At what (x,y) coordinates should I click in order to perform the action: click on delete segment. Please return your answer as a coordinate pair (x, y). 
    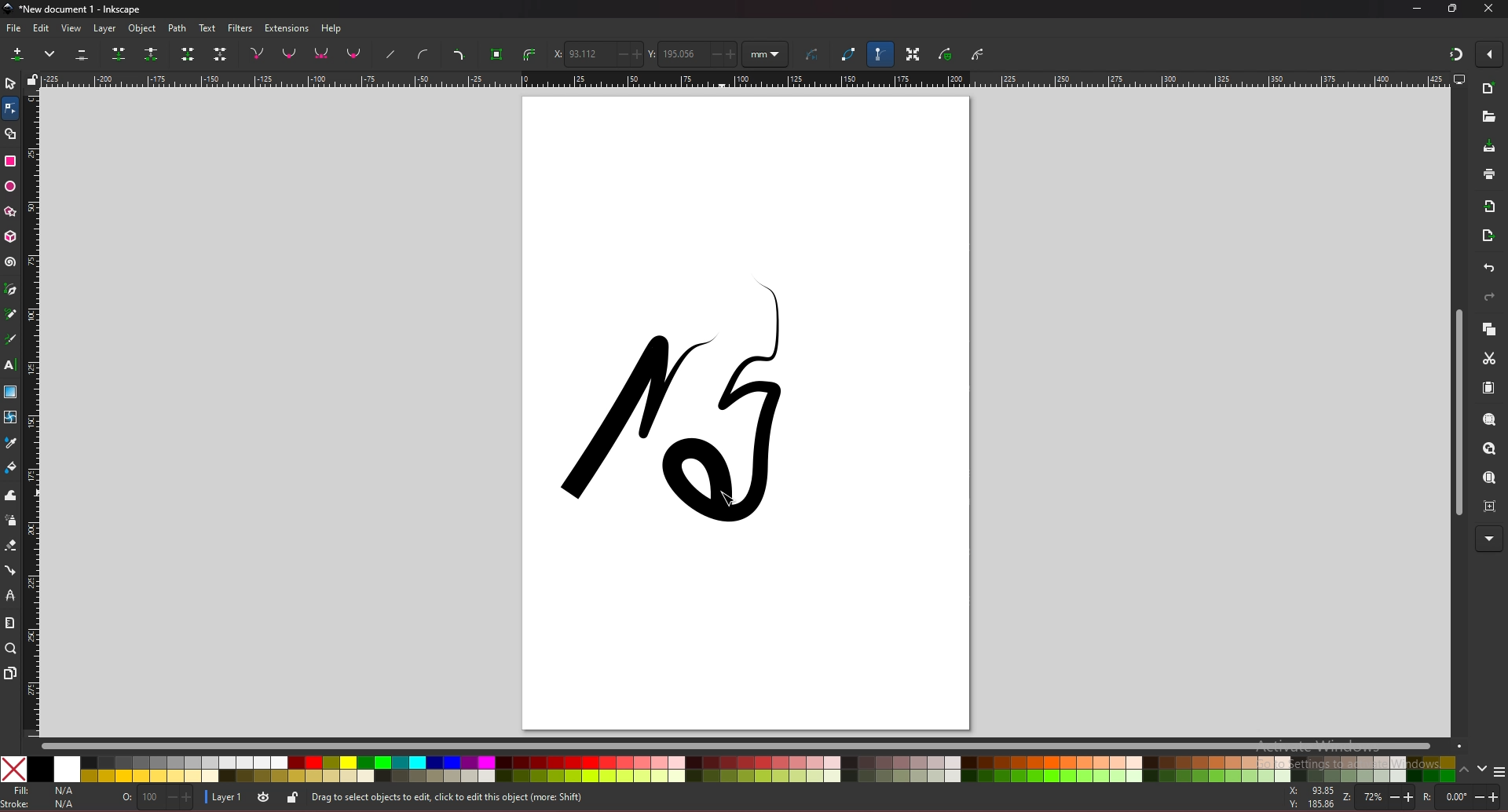
    Looking at the image, I should click on (221, 53).